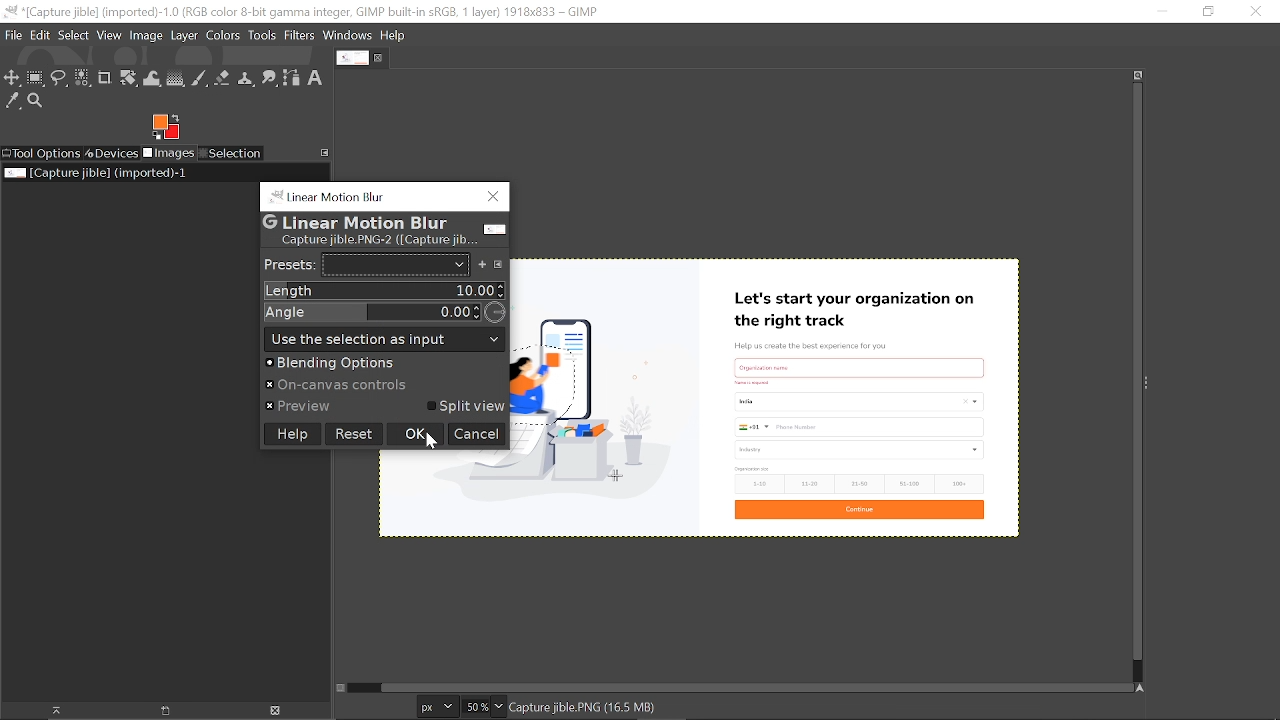  What do you see at coordinates (176, 78) in the screenshot?
I see `Gradient tool` at bounding box center [176, 78].